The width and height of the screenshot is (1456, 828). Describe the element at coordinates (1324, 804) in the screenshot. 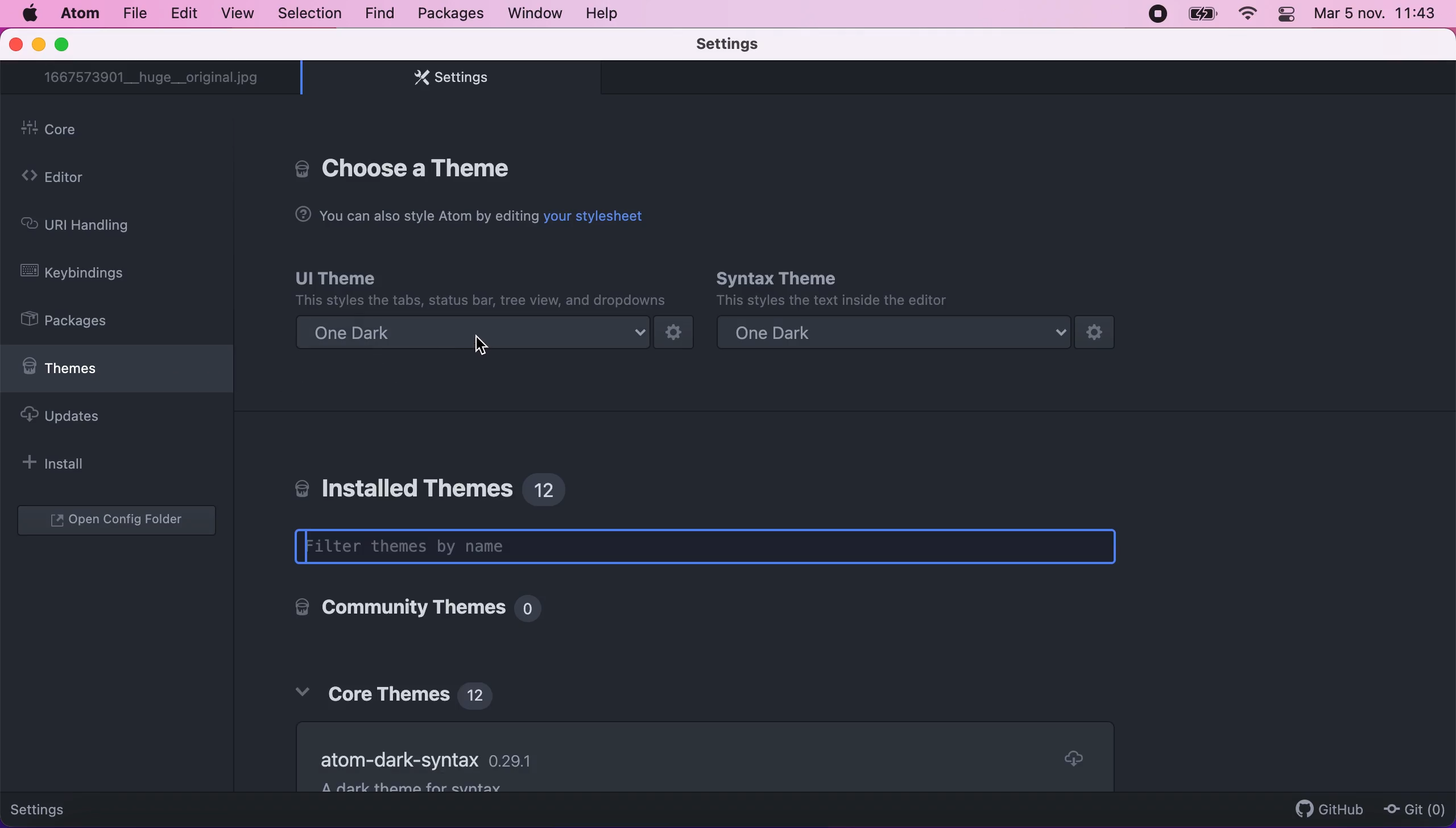

I see `github` at that location.